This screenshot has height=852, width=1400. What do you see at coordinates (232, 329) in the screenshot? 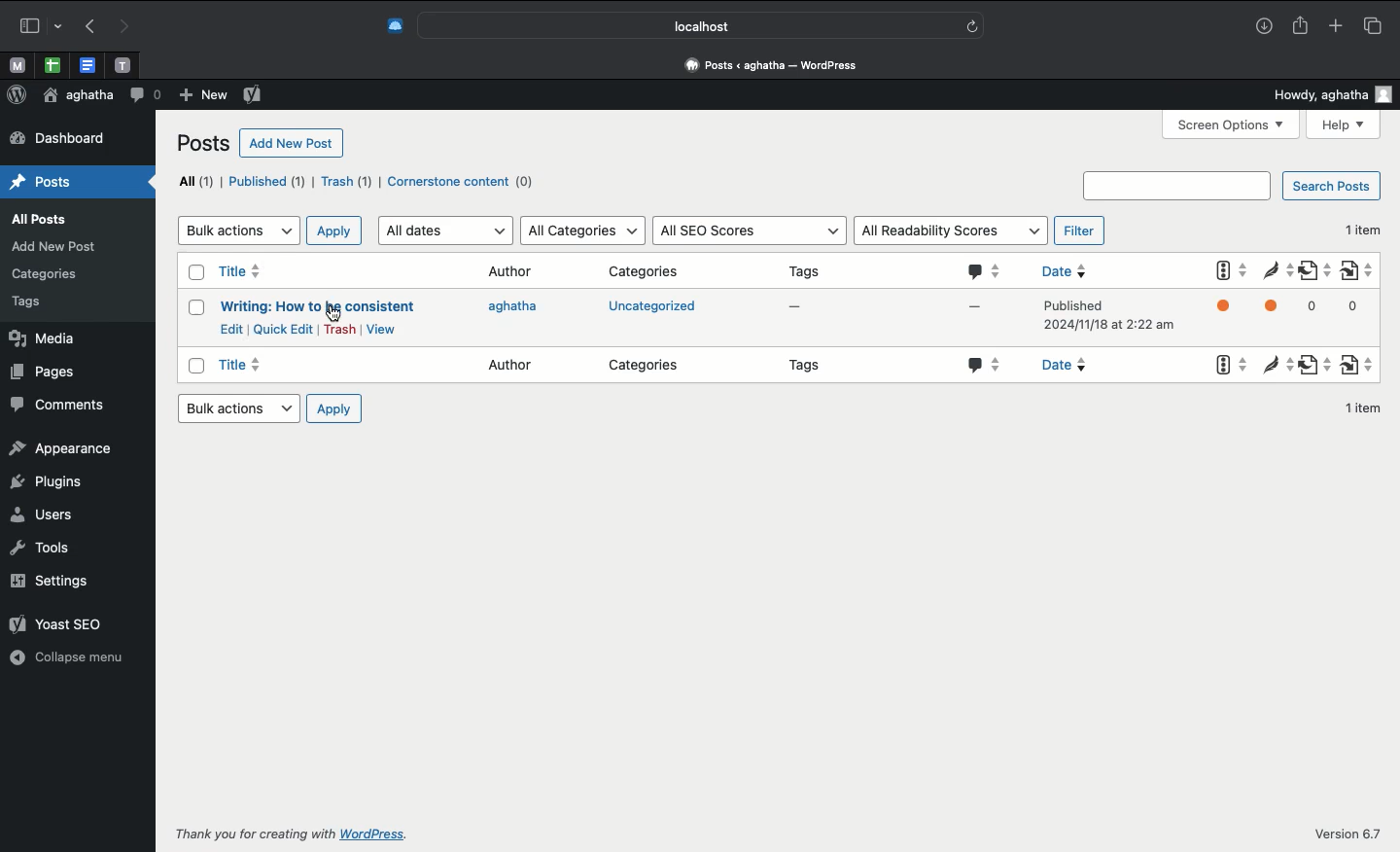
I see `Edit` at bounding box center [232, 329].